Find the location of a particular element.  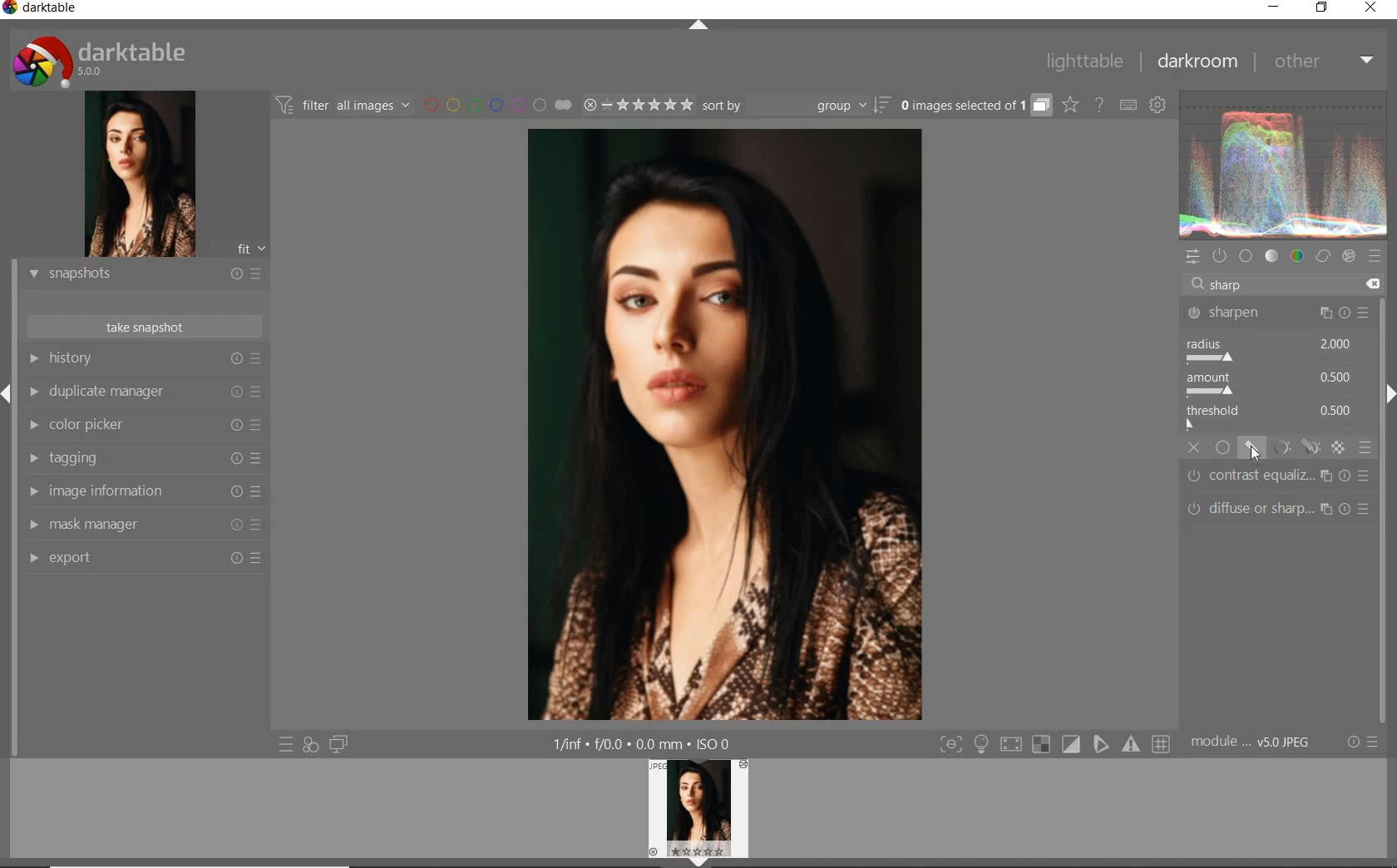

Toggle modes is located at coordinates (1054, 744).